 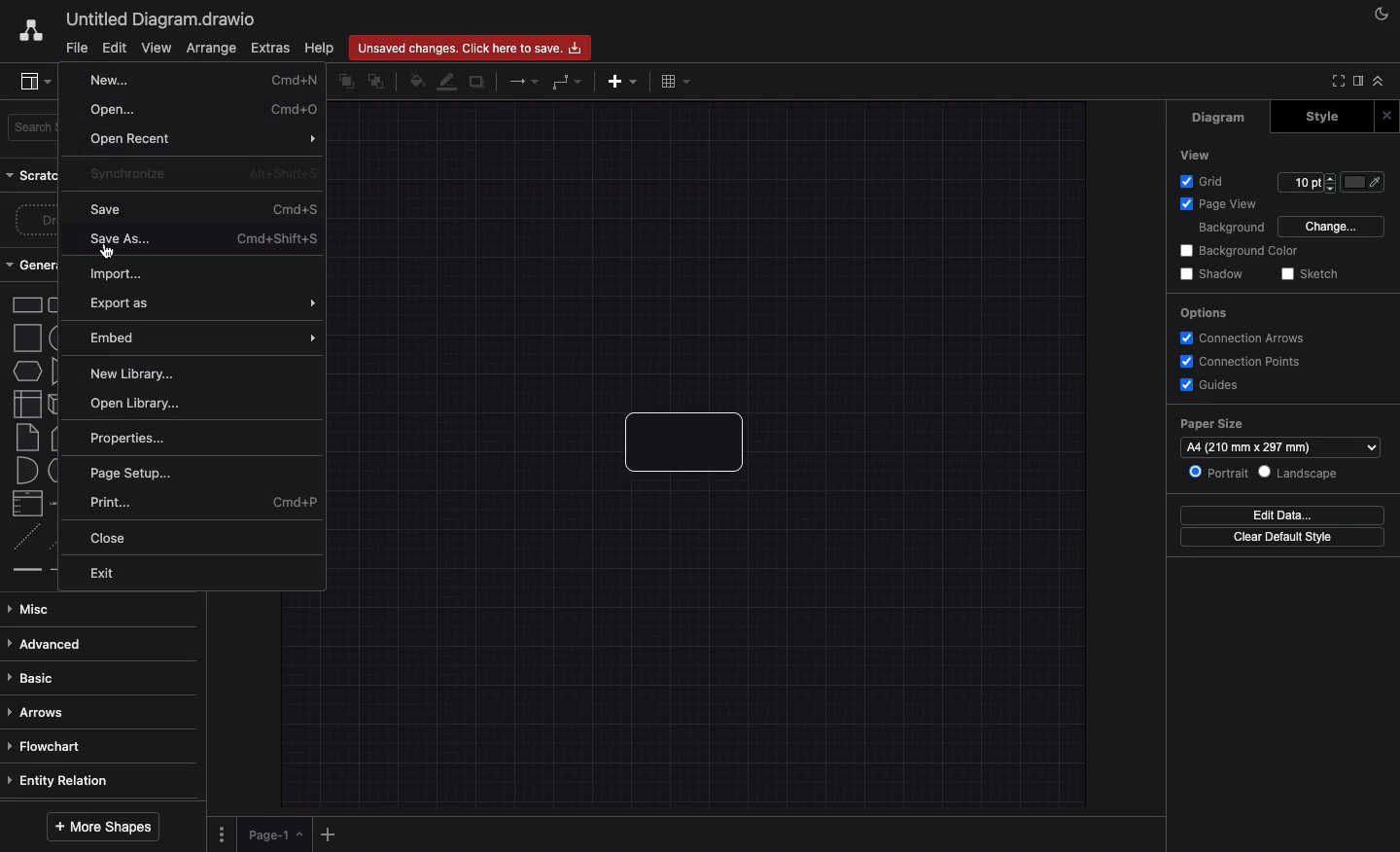 What do you see at coordinates (204, 110) in the screenshot?
I see `Open` at bounding box center [204, 110].